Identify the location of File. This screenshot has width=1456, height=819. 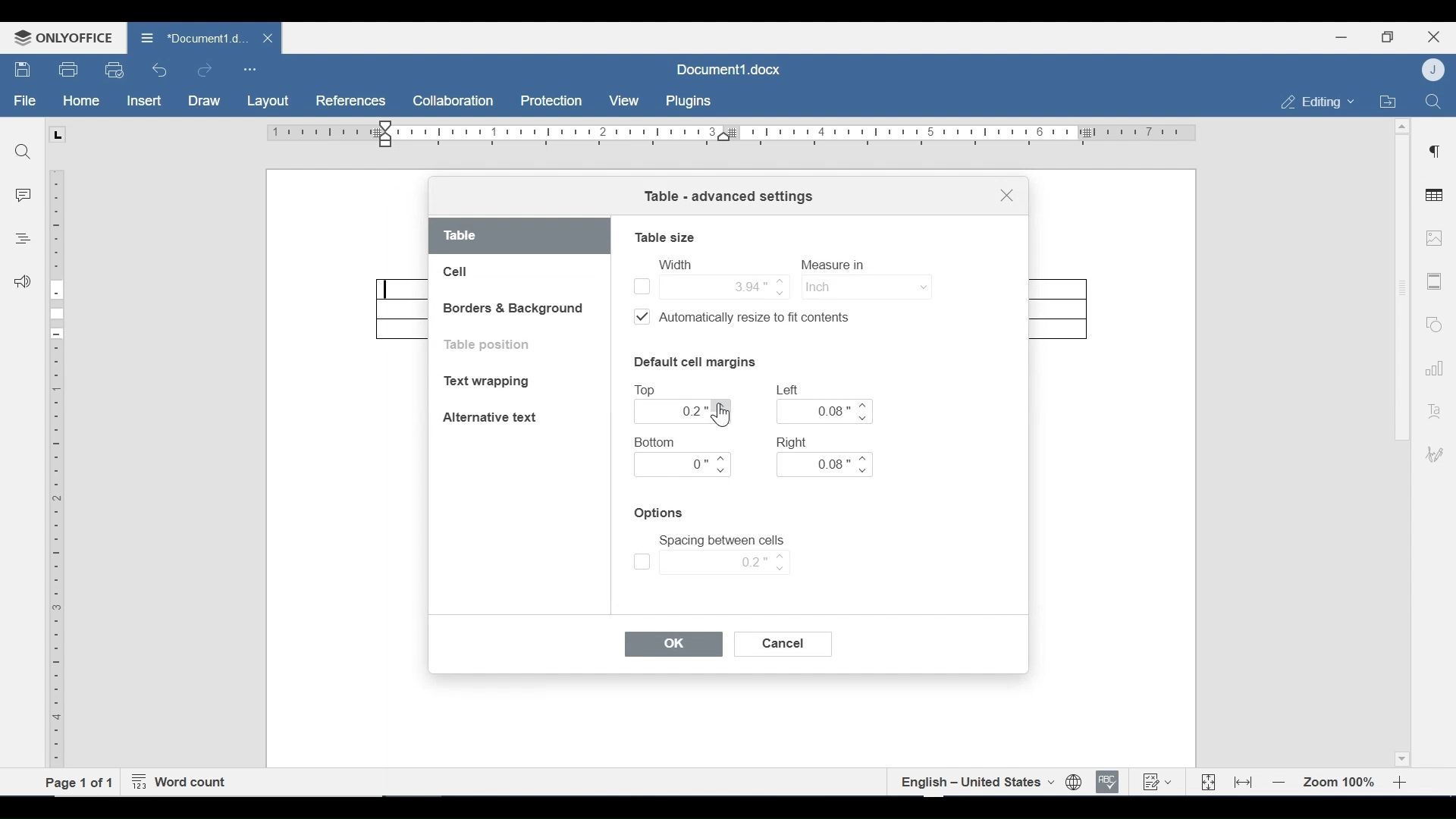
(26, 101).